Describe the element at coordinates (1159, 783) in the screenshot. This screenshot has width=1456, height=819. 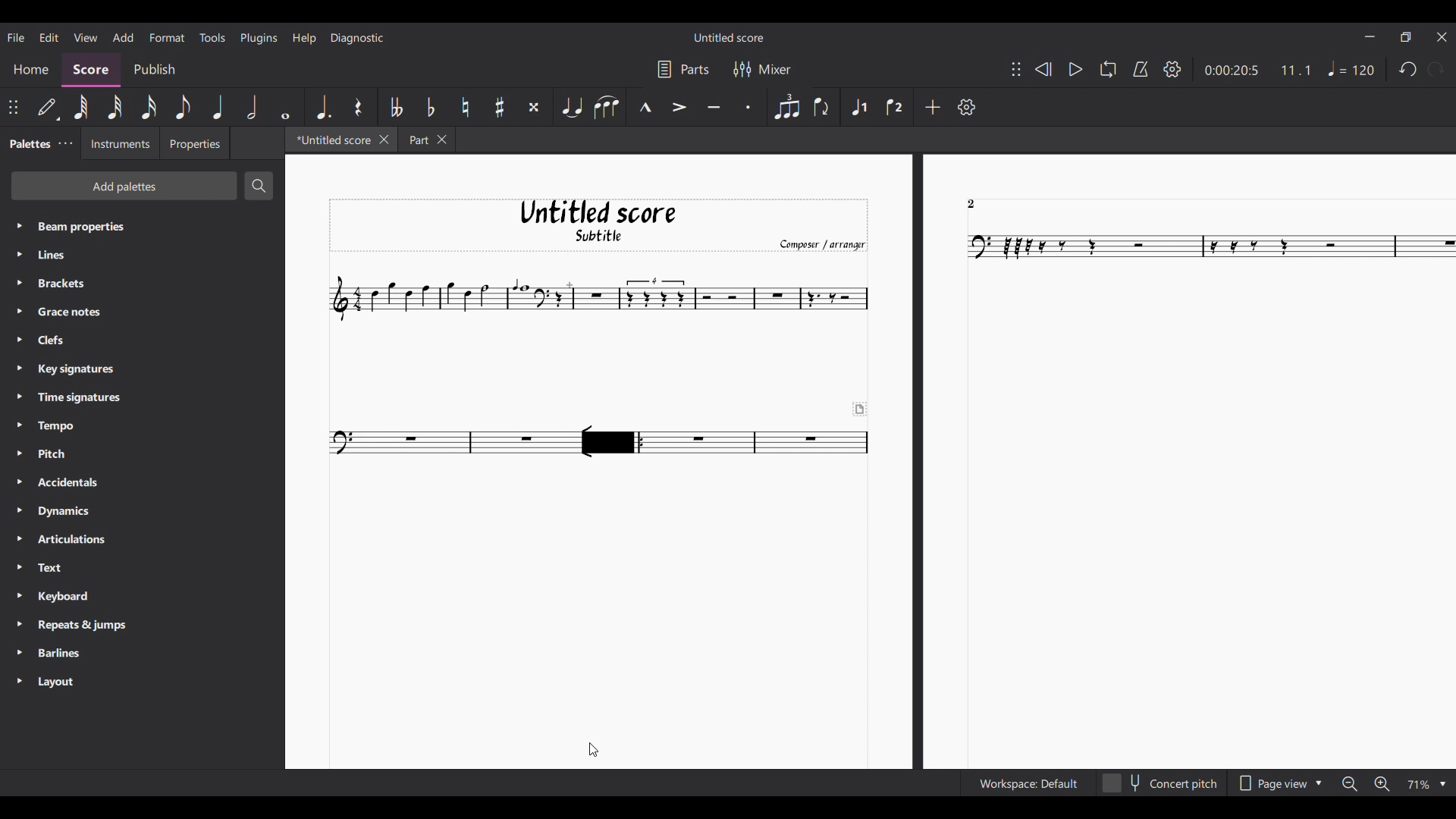
I see `Toggle for concert pitch` at that location.